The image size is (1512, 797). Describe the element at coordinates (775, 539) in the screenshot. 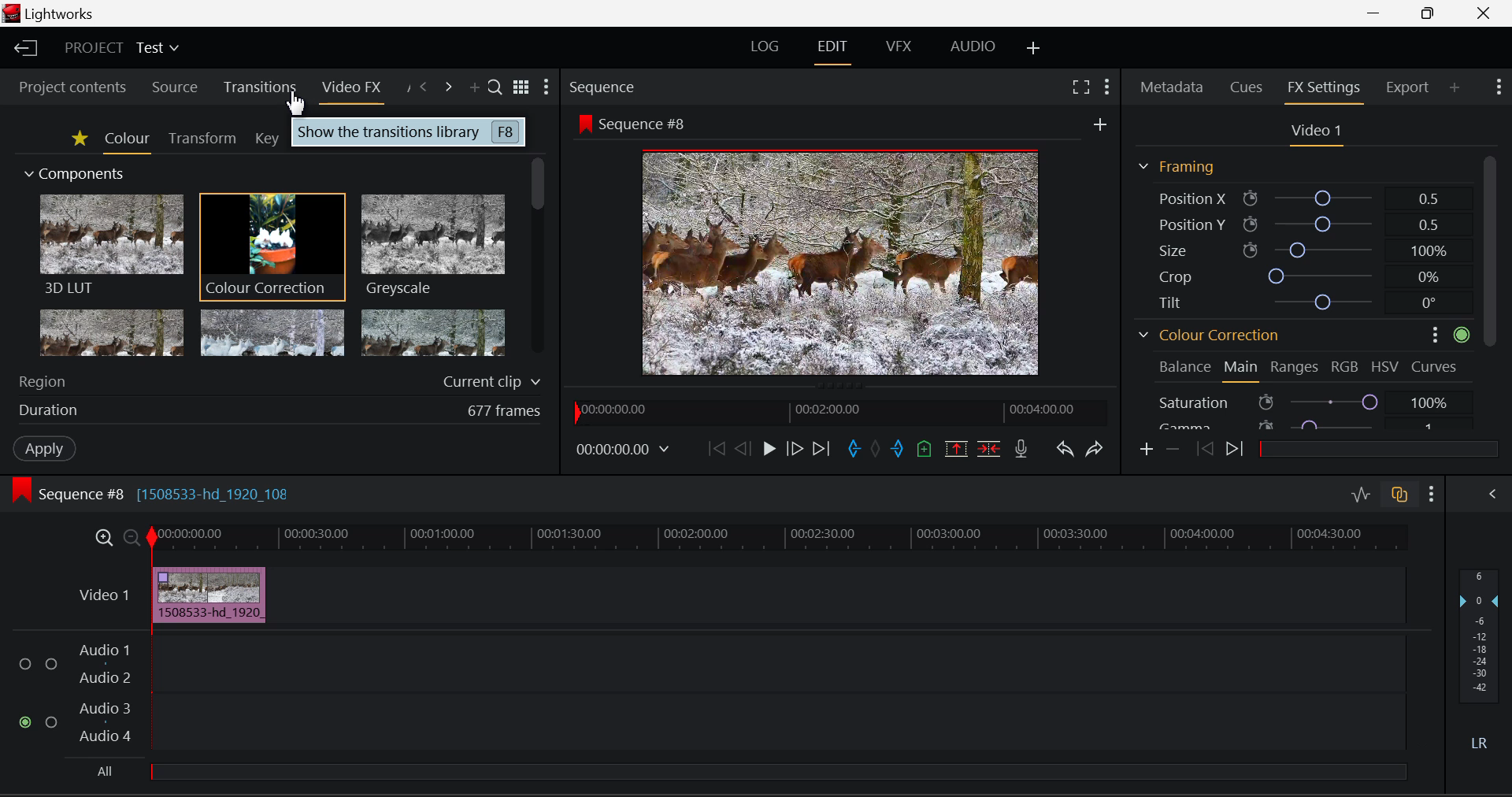

I see `Project Timeline` at that location.